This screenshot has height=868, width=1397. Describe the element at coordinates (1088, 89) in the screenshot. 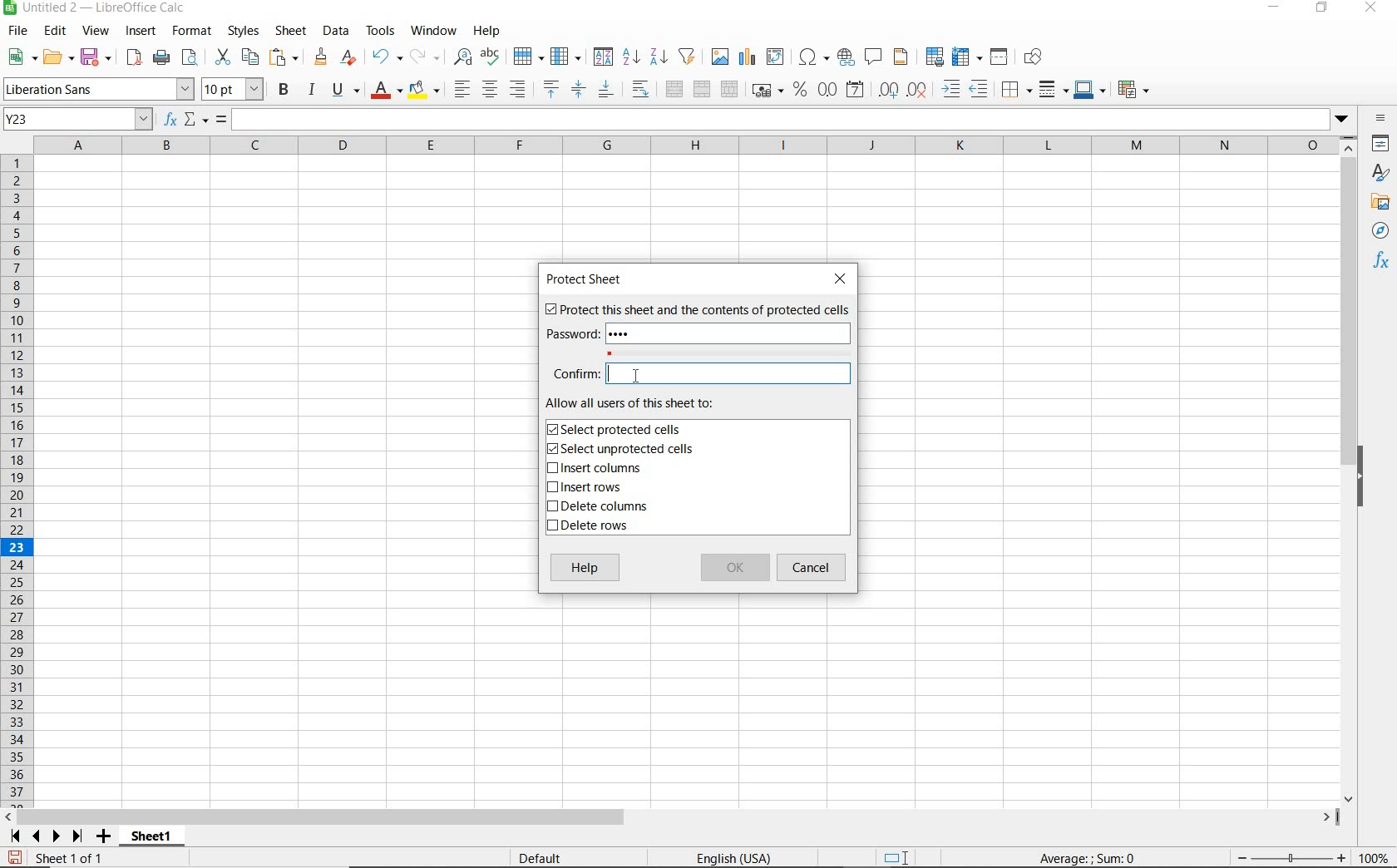

I see `BORDER COLOR` at that location.